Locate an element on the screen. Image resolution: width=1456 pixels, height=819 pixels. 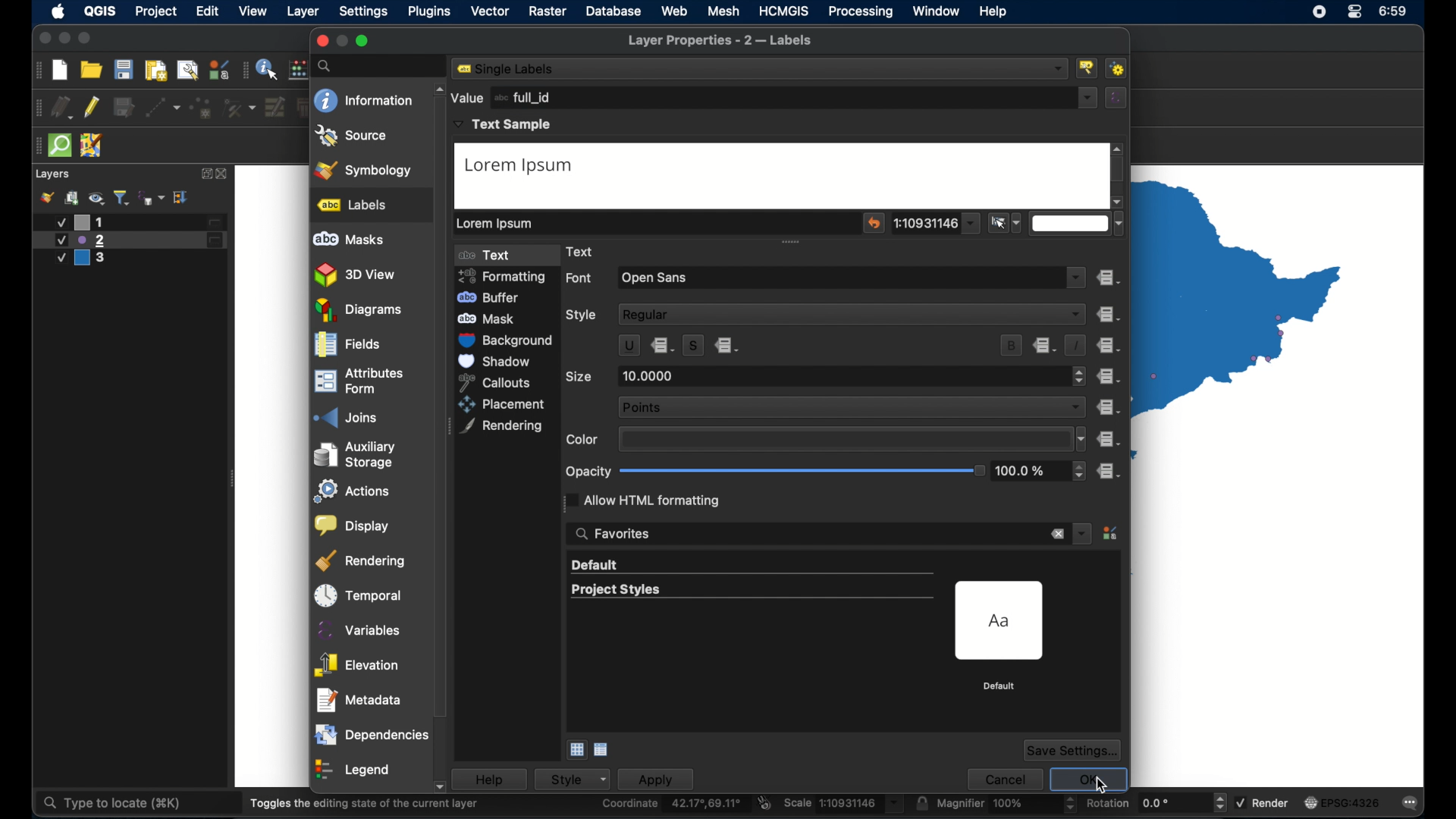
dropdown menu is located at coordinates (1088, 98).